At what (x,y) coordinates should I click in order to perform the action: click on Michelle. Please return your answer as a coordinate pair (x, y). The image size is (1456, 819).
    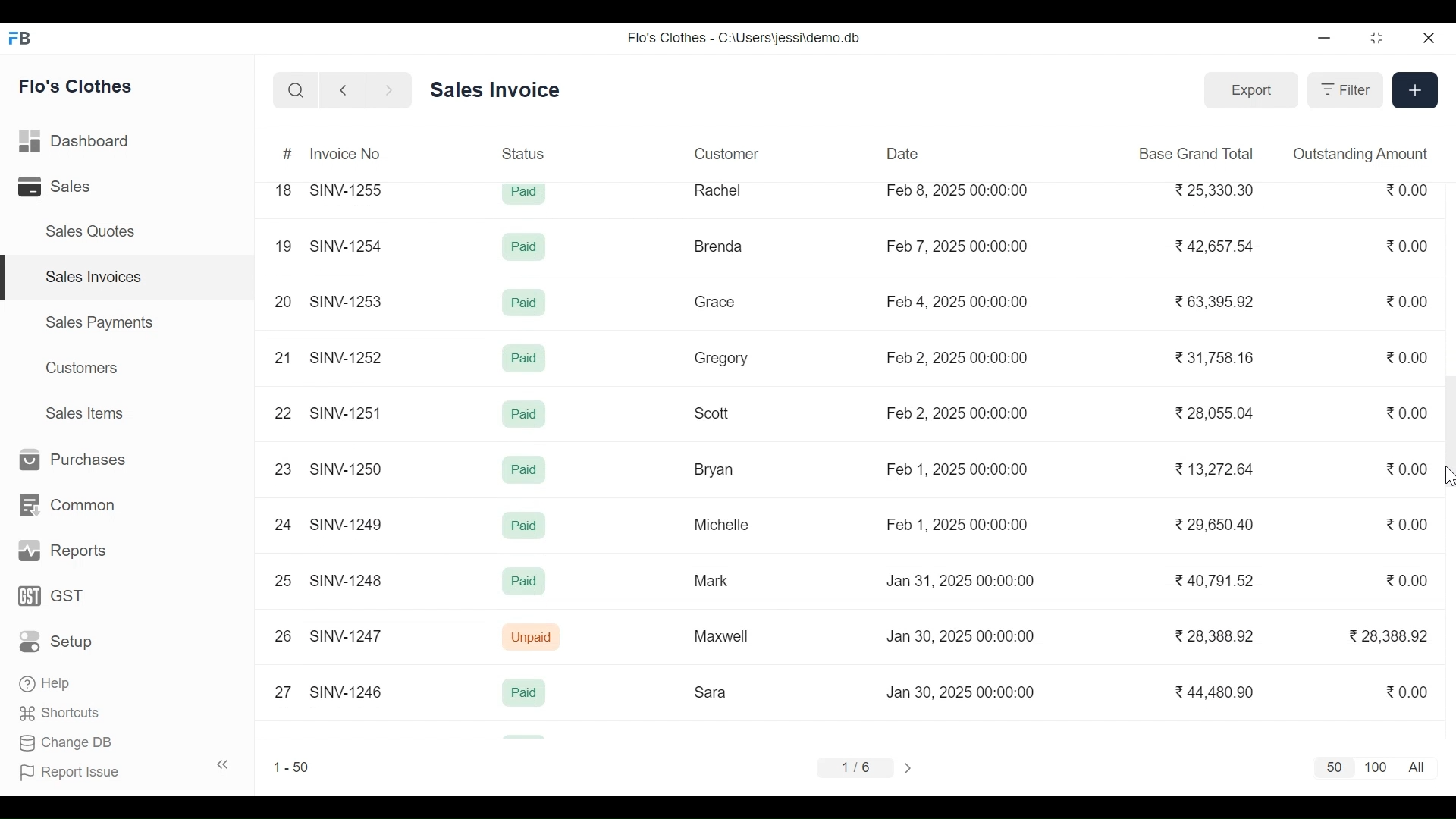
    Looking at the image, I should click on (722, 524).